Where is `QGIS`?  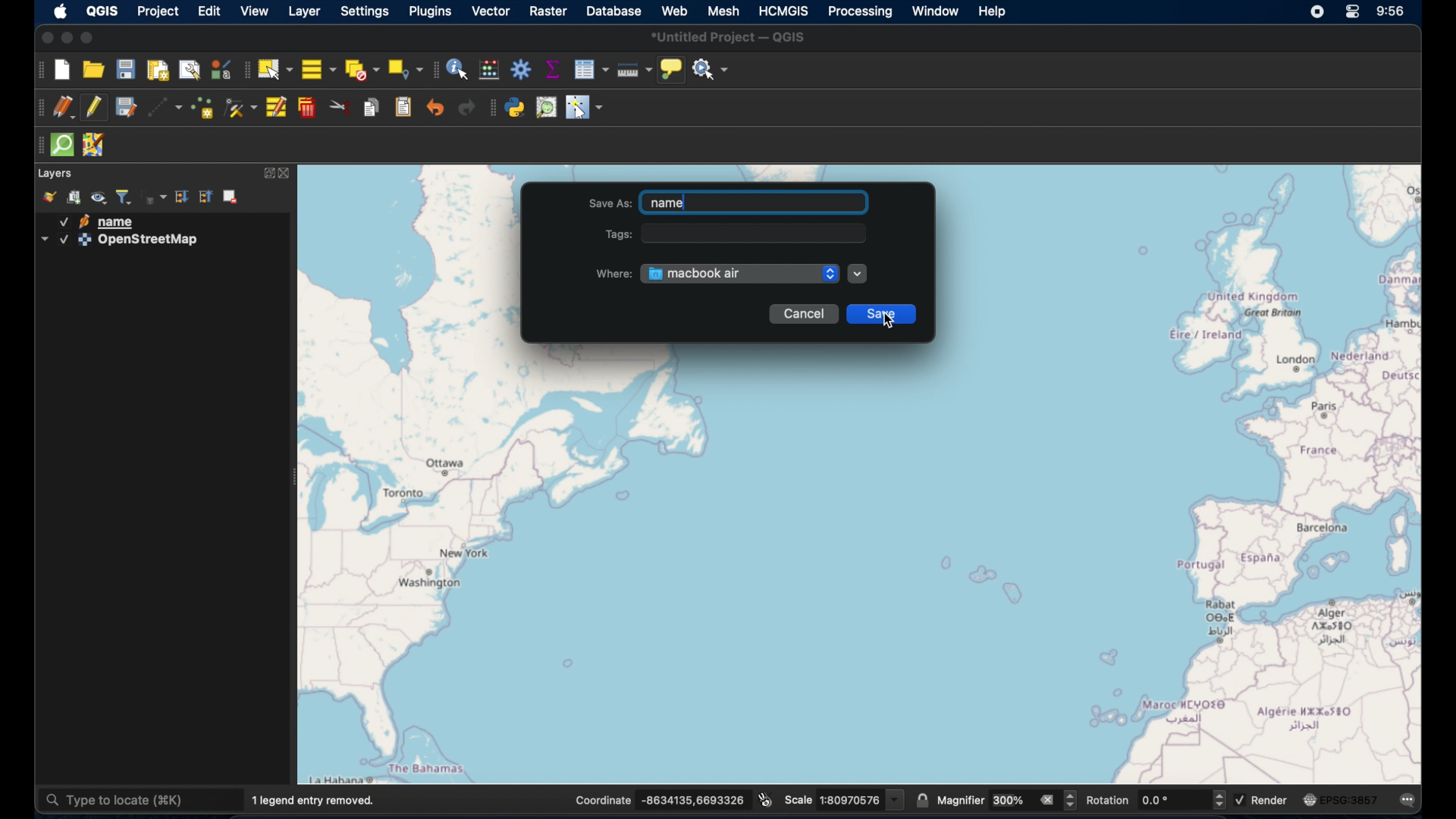 QGIS is located at coordinates (102, 11).